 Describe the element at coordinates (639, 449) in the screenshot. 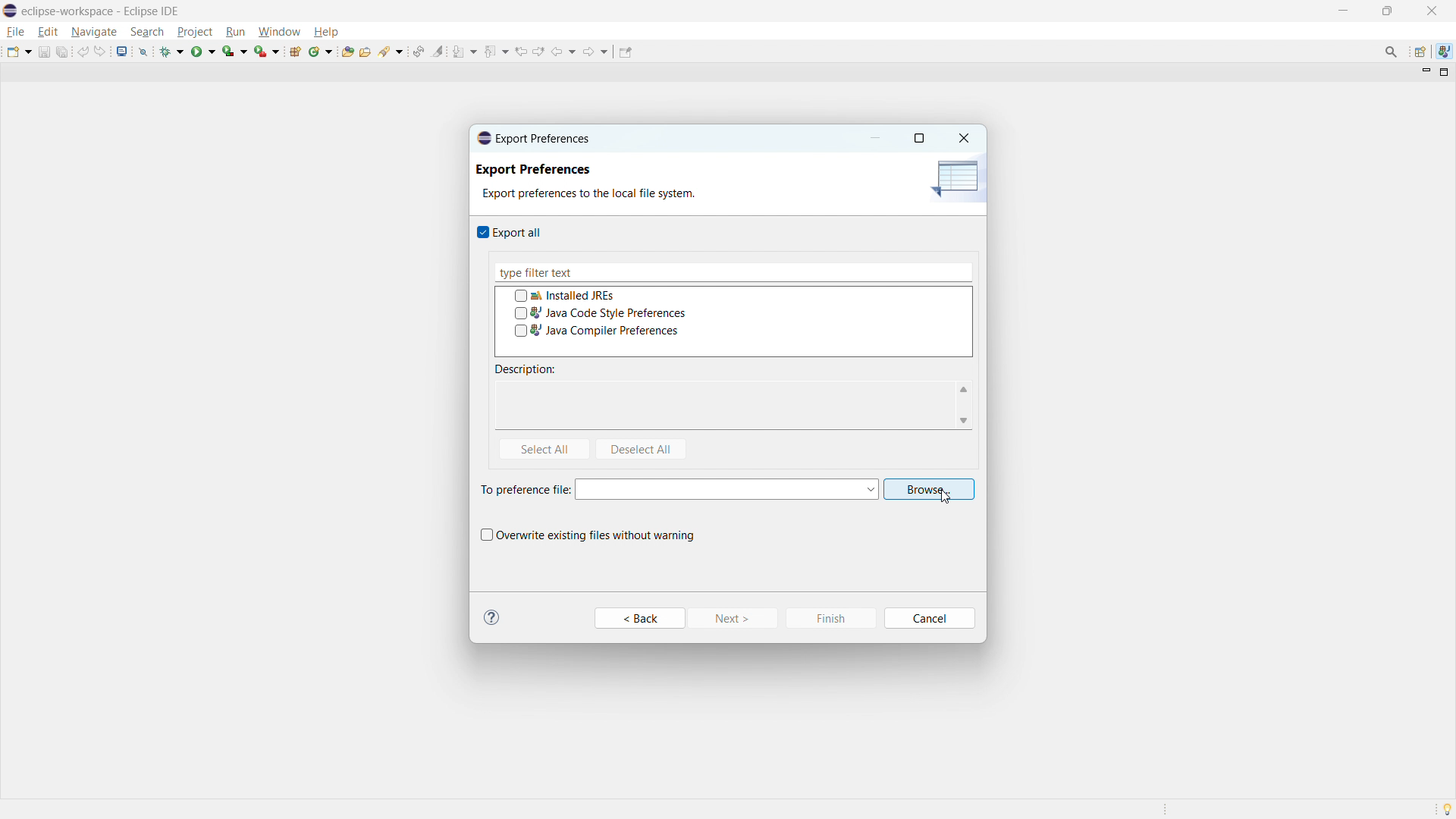

I see `deselect all` at that location.